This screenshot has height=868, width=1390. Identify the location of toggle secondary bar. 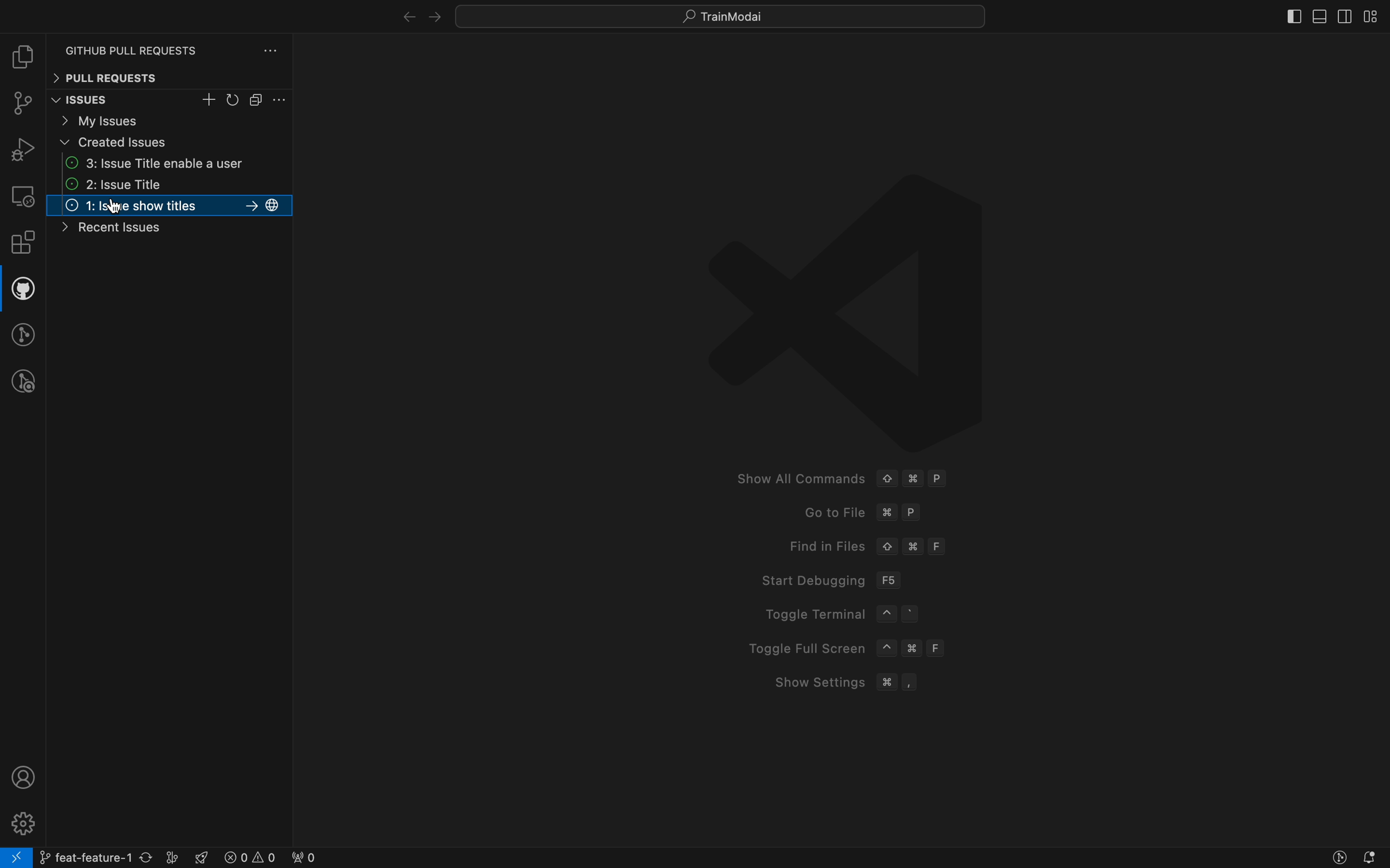
(1342, 17).